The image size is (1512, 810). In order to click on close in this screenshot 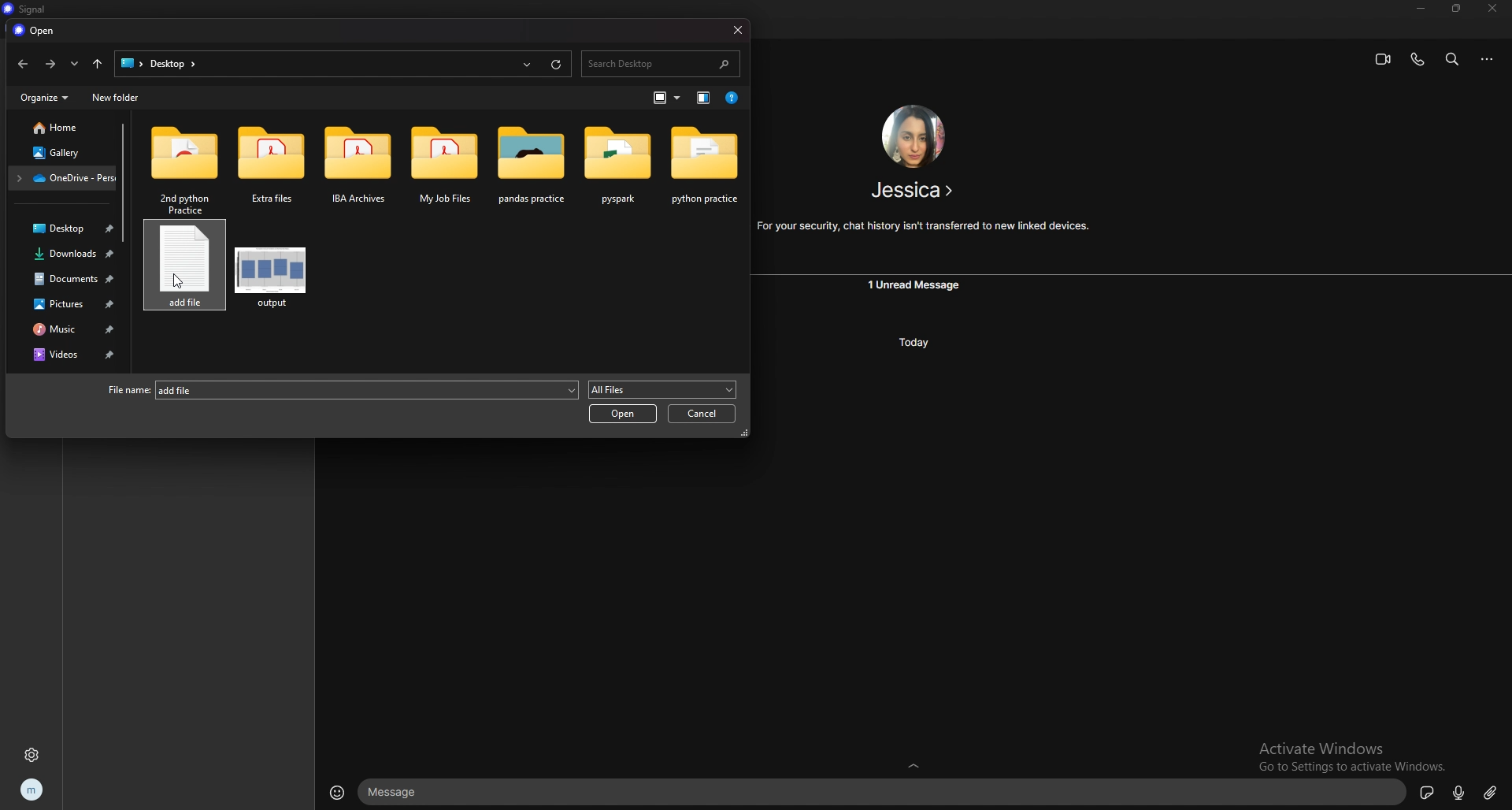, I will do `click(736, 29)`.